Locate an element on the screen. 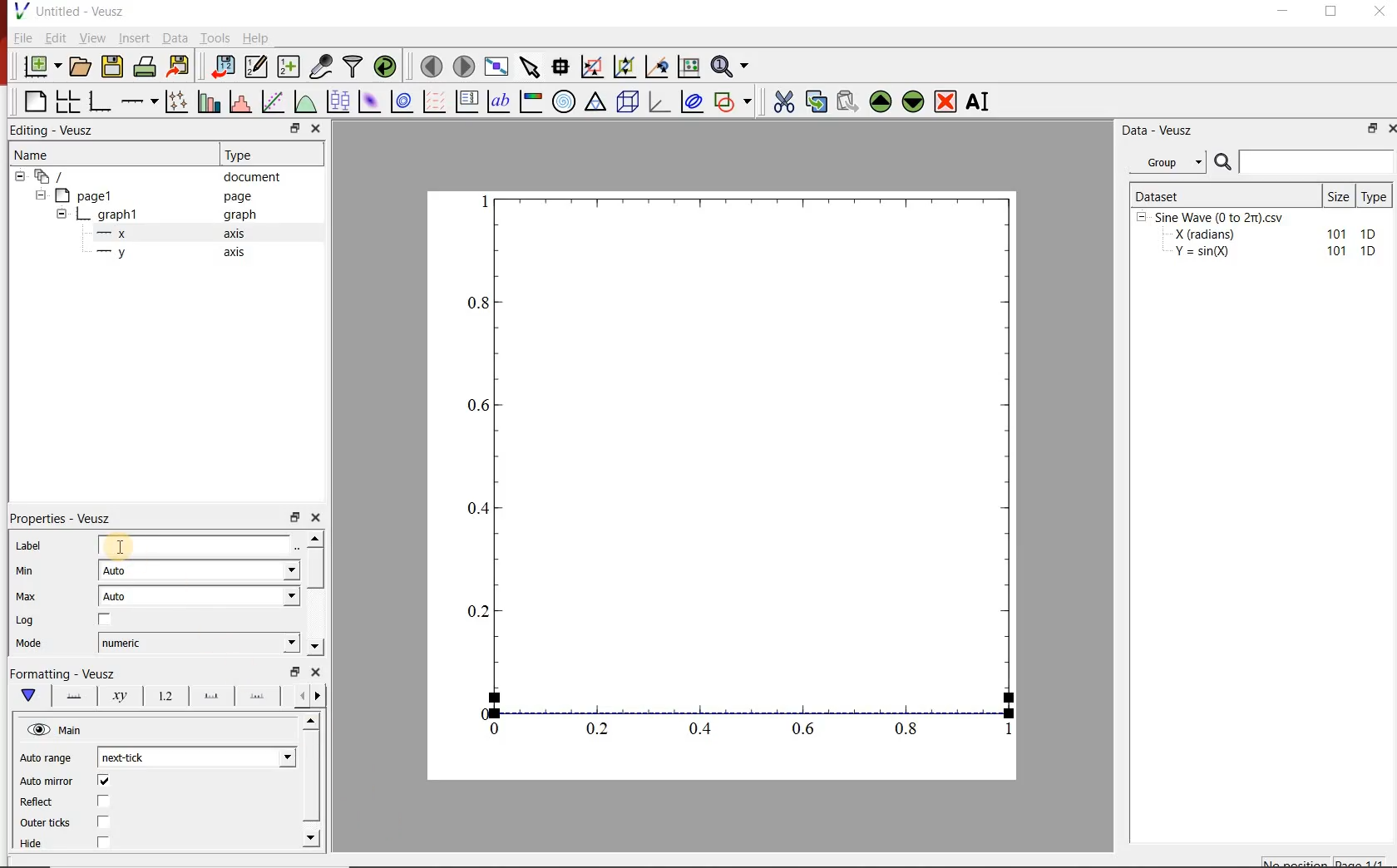  Up is located at coordinates (310, 722).